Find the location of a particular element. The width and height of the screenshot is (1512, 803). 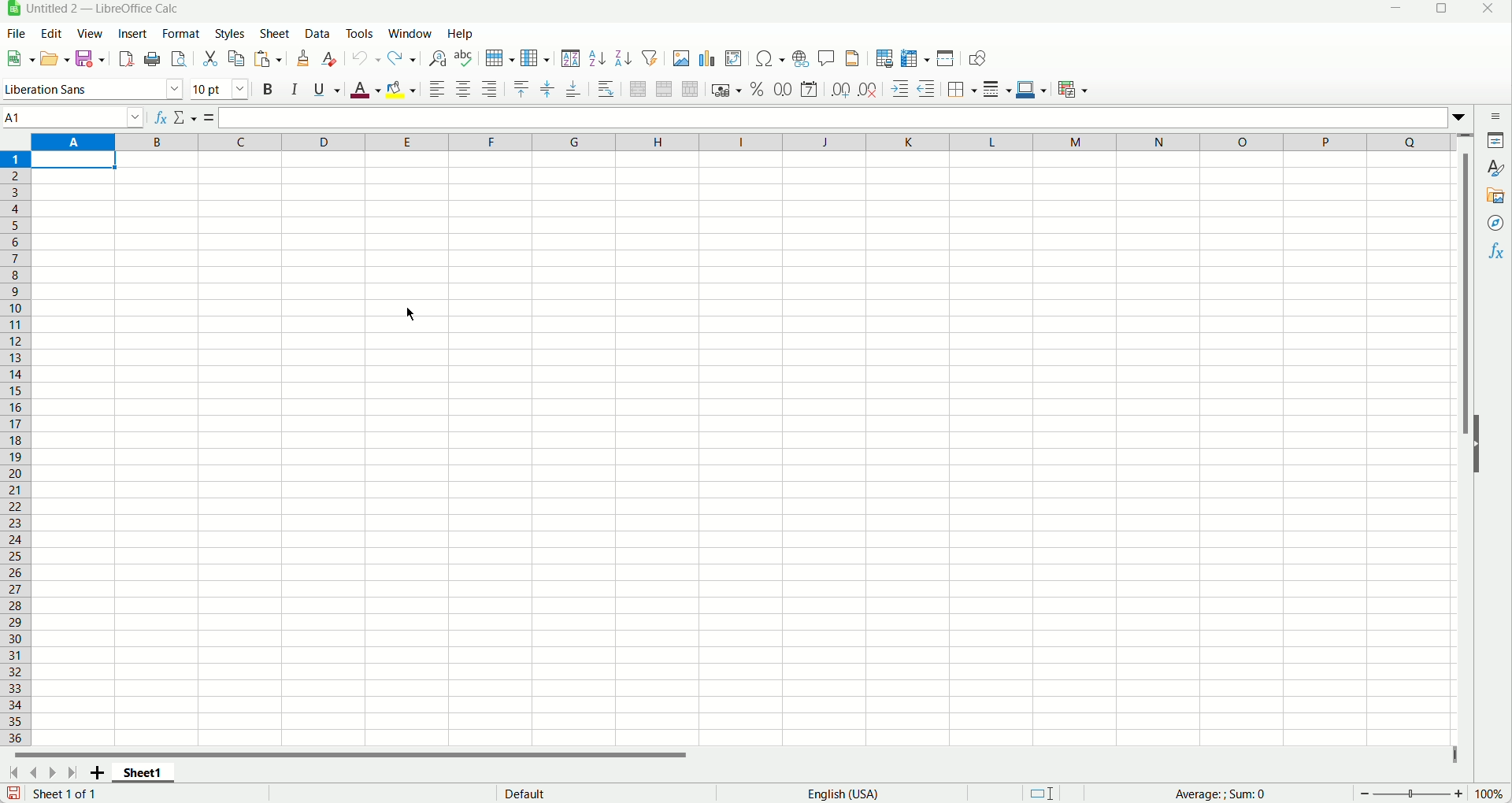

Tools is located at coordinates (358, 32).